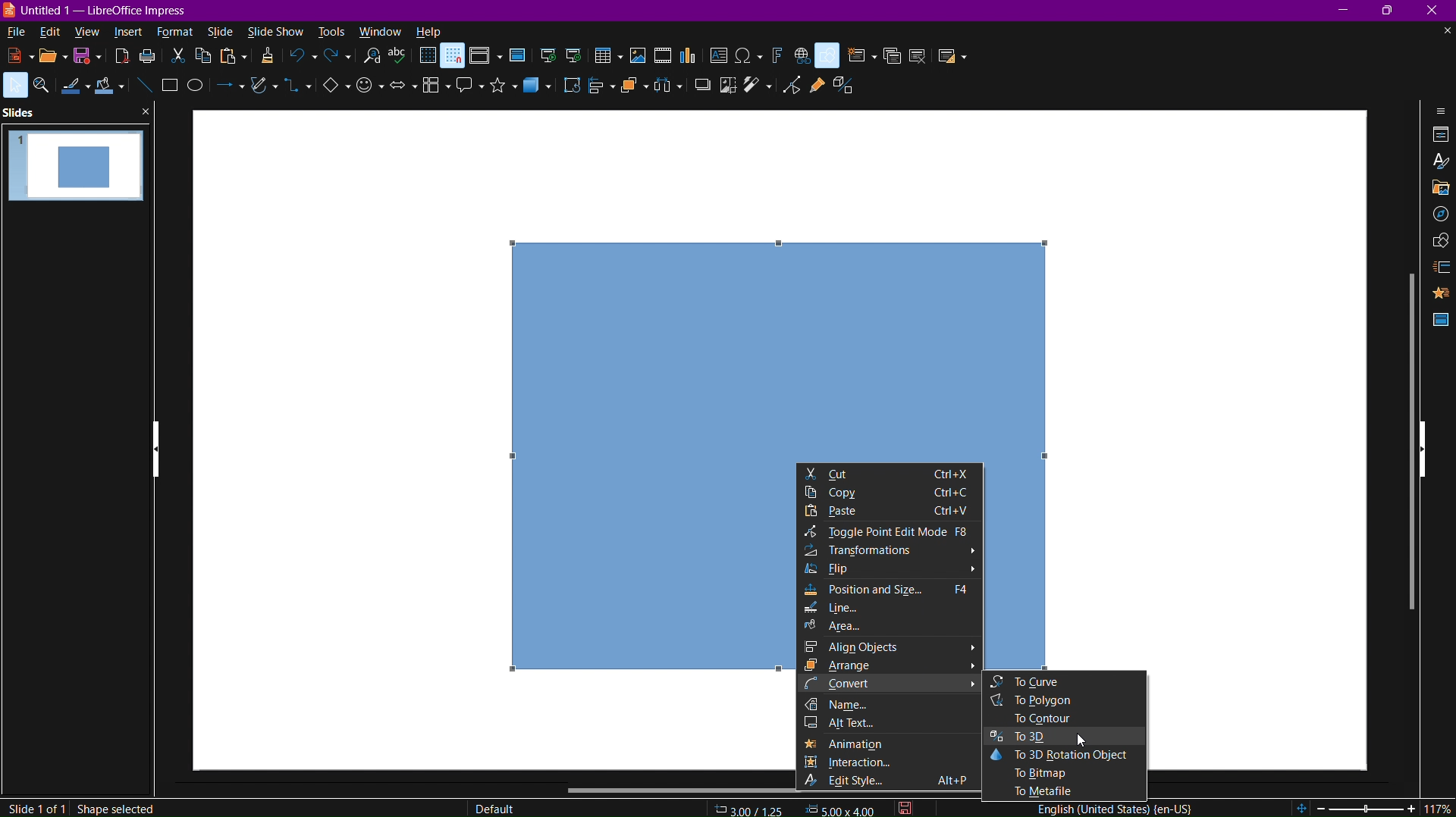 Image resolution: width=1456 pixels, height=817 pixels. I want to click on Basic Shapes, so click(830, 55).